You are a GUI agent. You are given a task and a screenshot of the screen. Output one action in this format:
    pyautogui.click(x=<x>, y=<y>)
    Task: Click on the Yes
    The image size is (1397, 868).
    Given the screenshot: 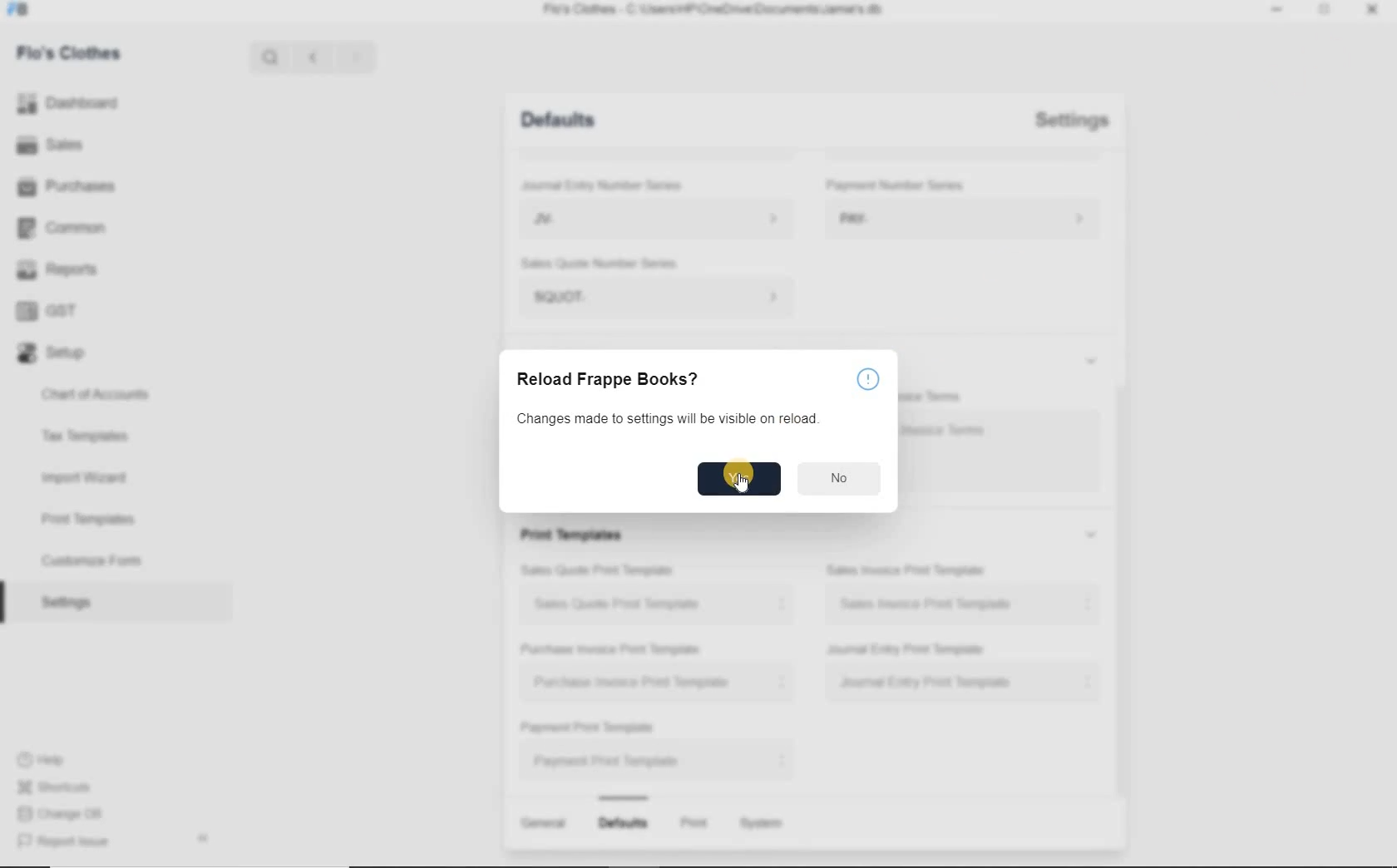 What is the action you would take?
    pyautogui.click(x=739, y=478)
    